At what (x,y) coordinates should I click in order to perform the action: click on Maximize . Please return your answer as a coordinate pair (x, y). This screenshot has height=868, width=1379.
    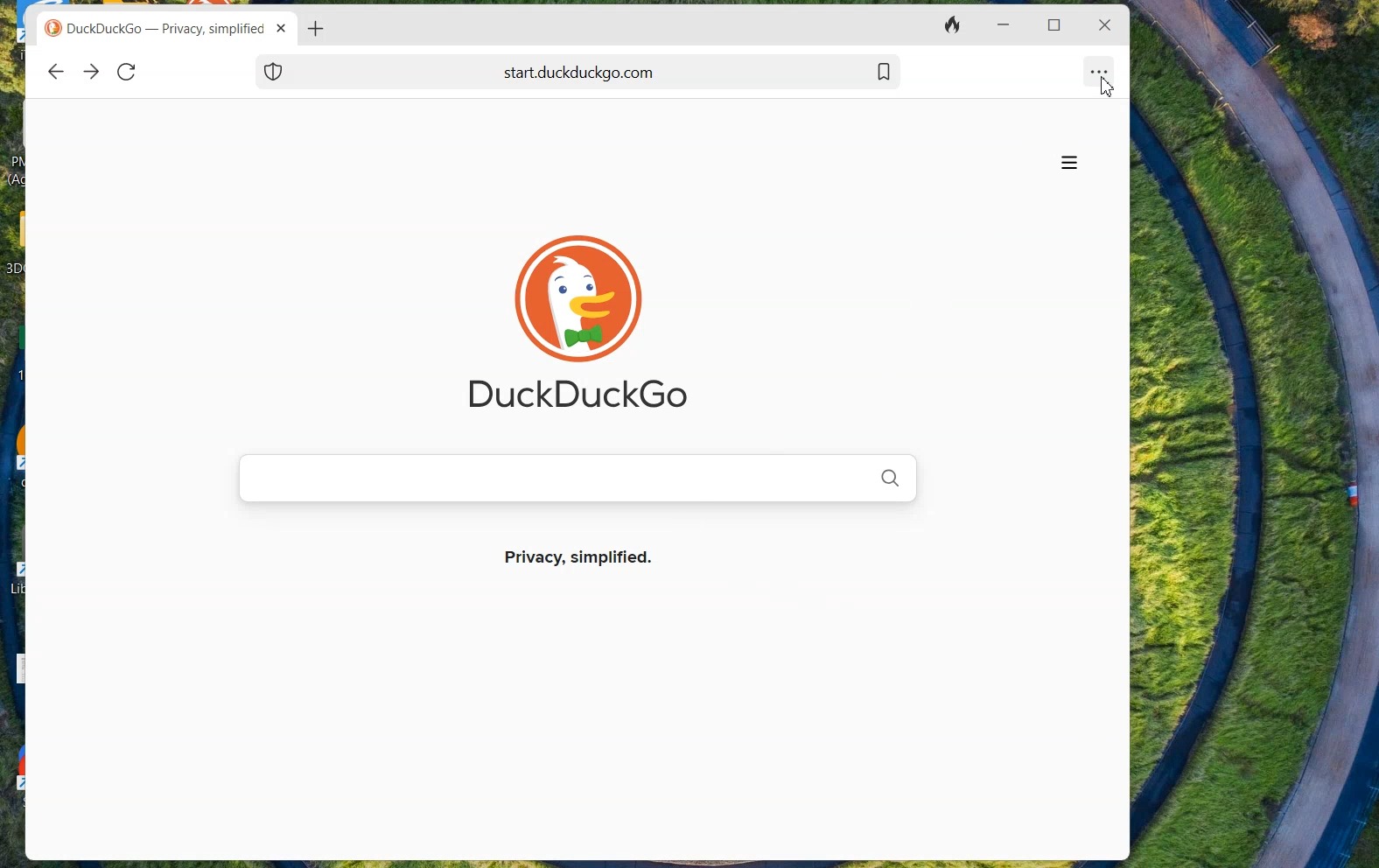
    Looking at the image, I should click on (1057, 24).